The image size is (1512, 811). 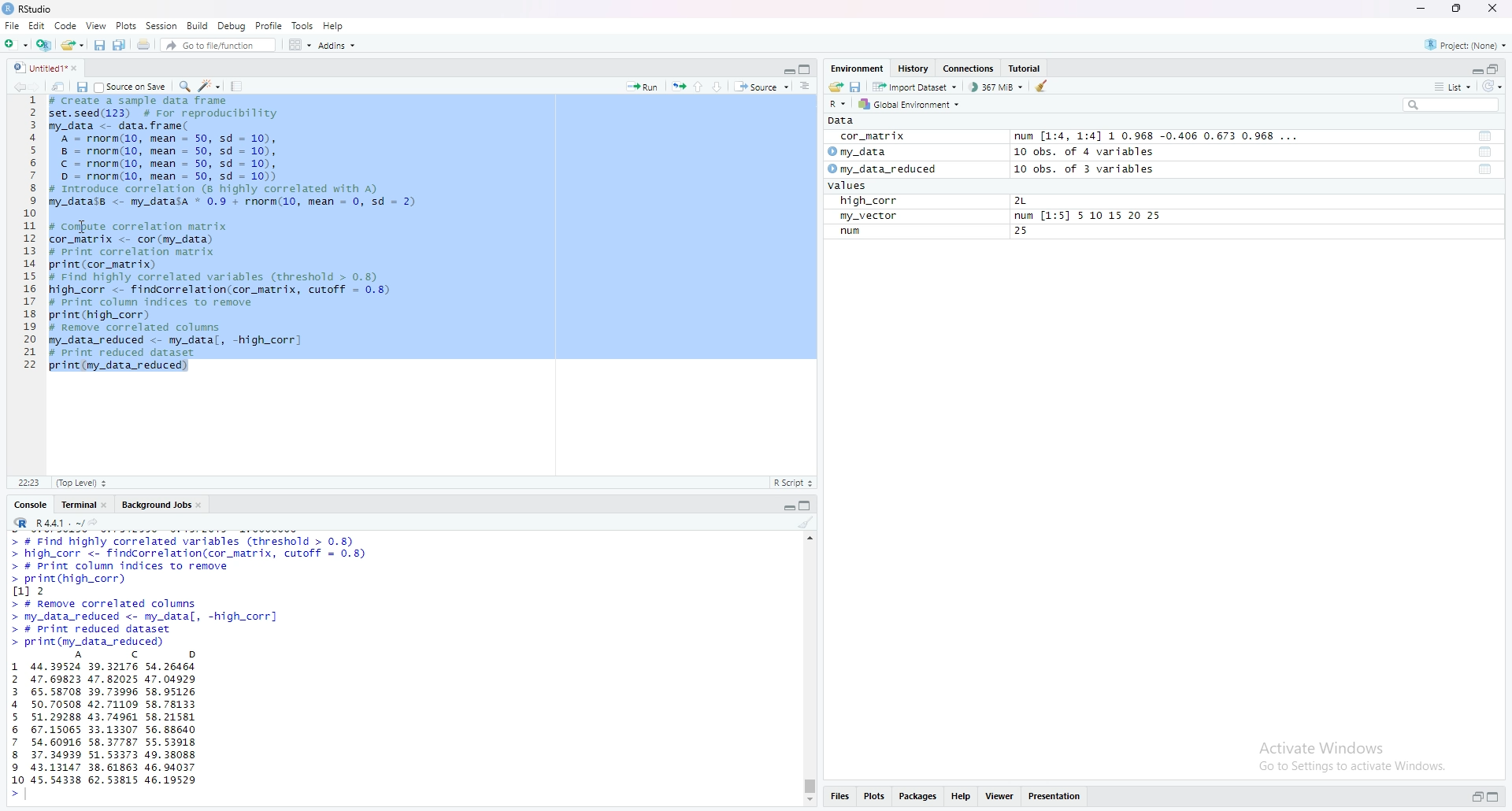 What do you see at coordinates (60, 523) in the screenshot?
I see `R 4.4.1 ~/` at bounding box center [60, 523].